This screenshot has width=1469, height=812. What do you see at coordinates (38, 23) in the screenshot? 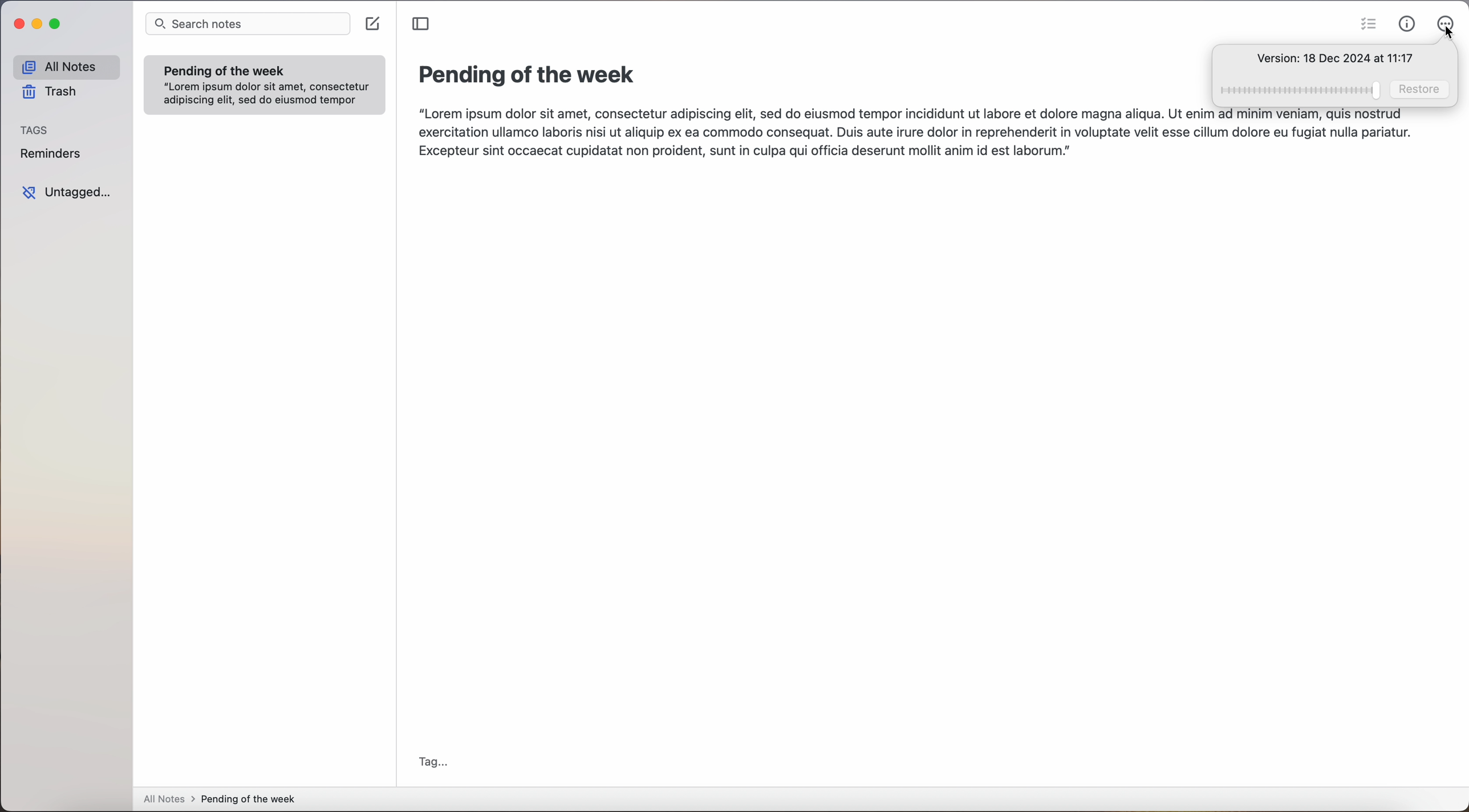
I see `minimize Simplenote` at bounding box center [38, 23].